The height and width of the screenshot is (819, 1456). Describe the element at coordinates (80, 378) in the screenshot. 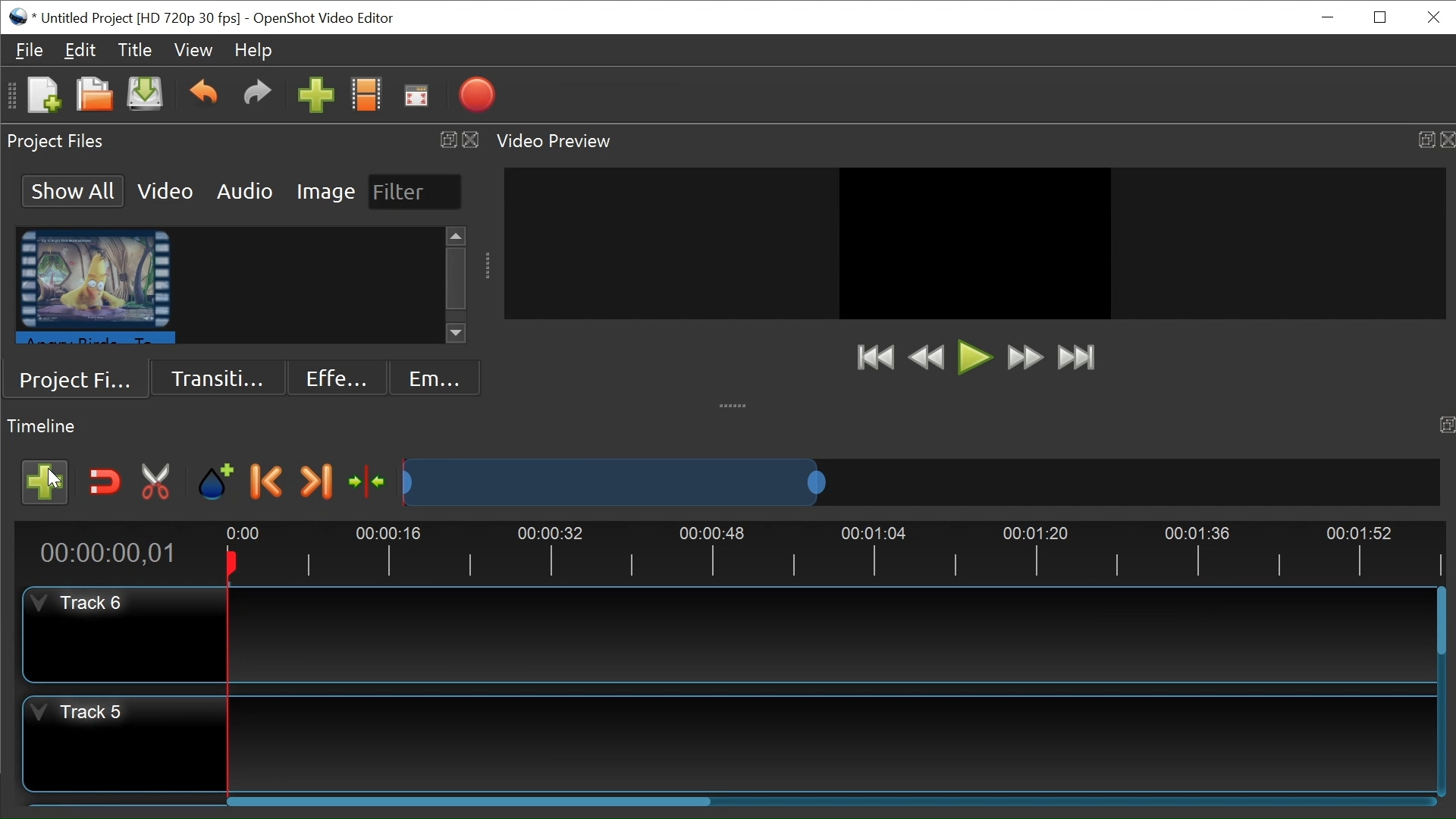

I see `Project Files` at that location.